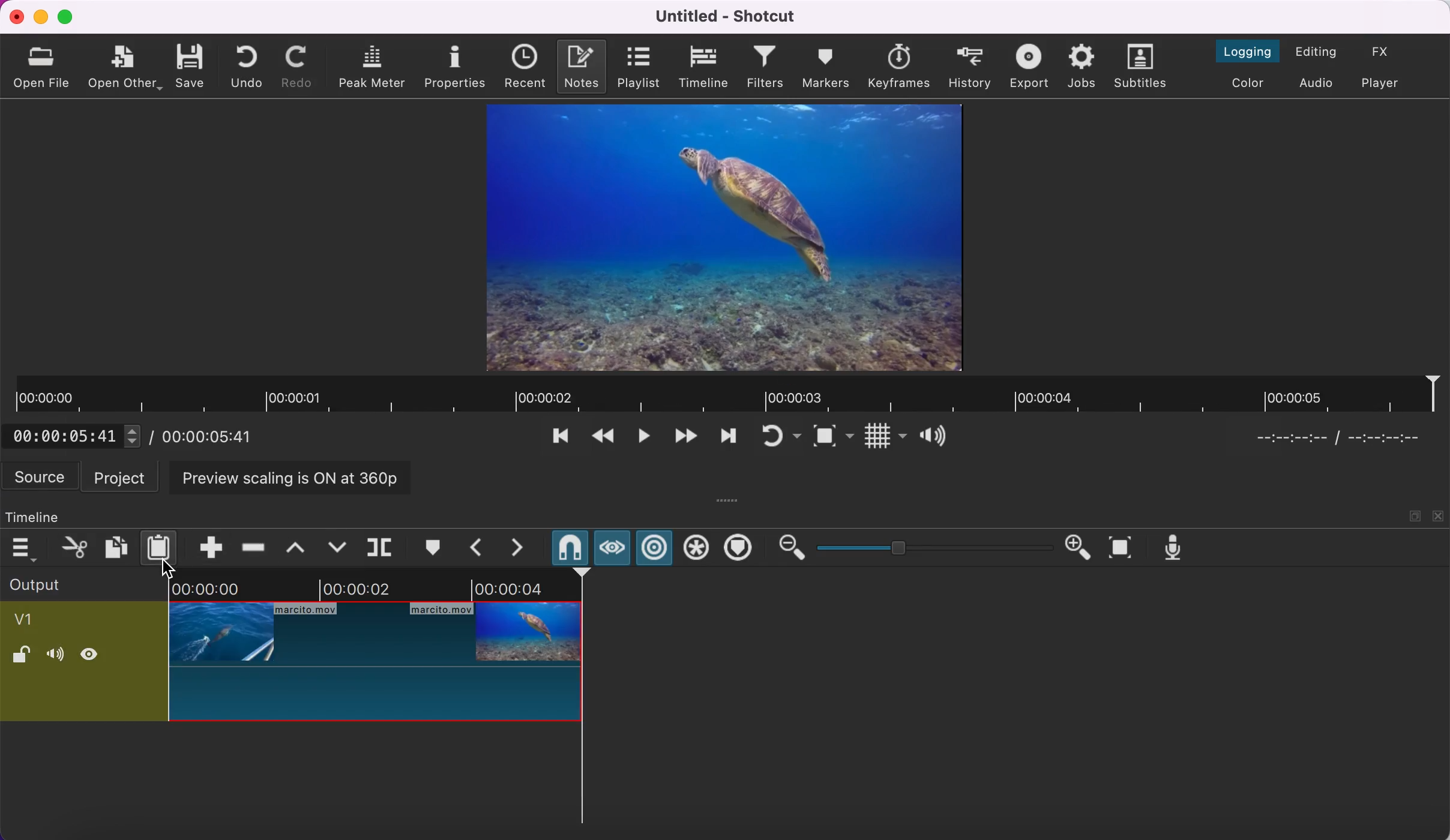 The height and width of the screenshot is (840, 1450). What do you see at coordinates (520, 548) in the screenshot?
I see `next marker` at bounding box center [520, 548].